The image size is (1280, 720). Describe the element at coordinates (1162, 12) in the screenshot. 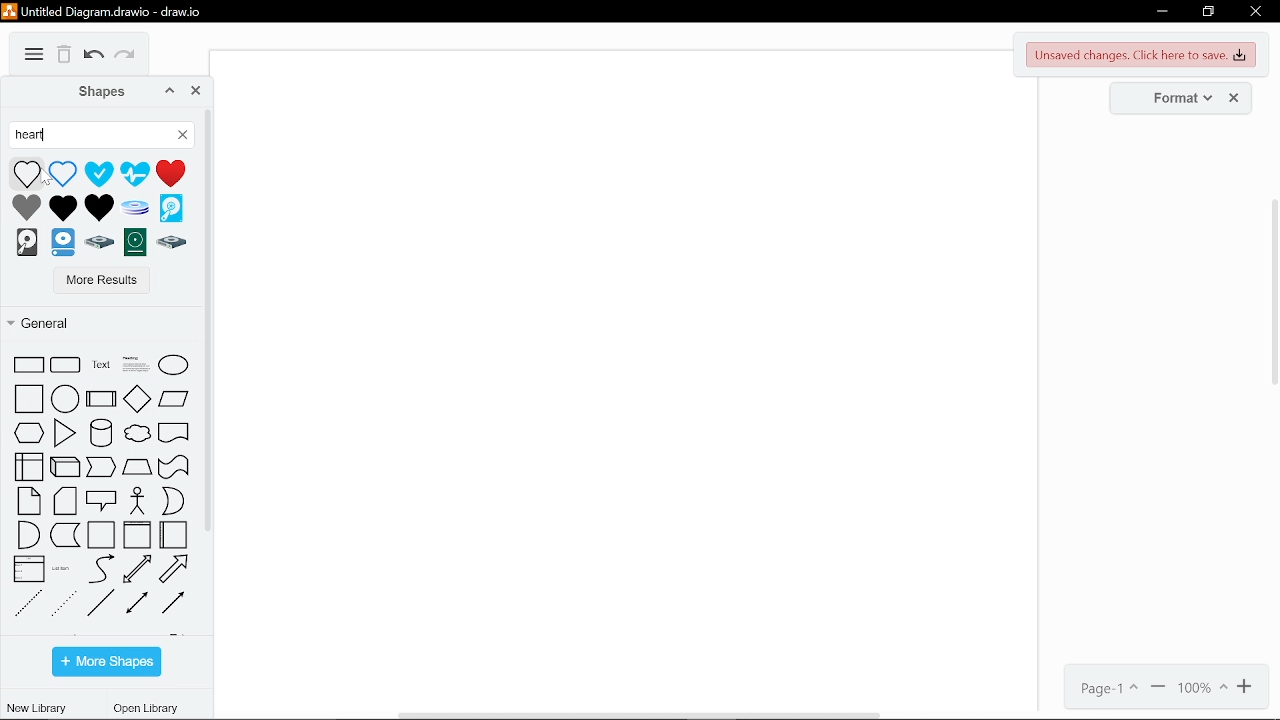

I see `minimize` at that location.